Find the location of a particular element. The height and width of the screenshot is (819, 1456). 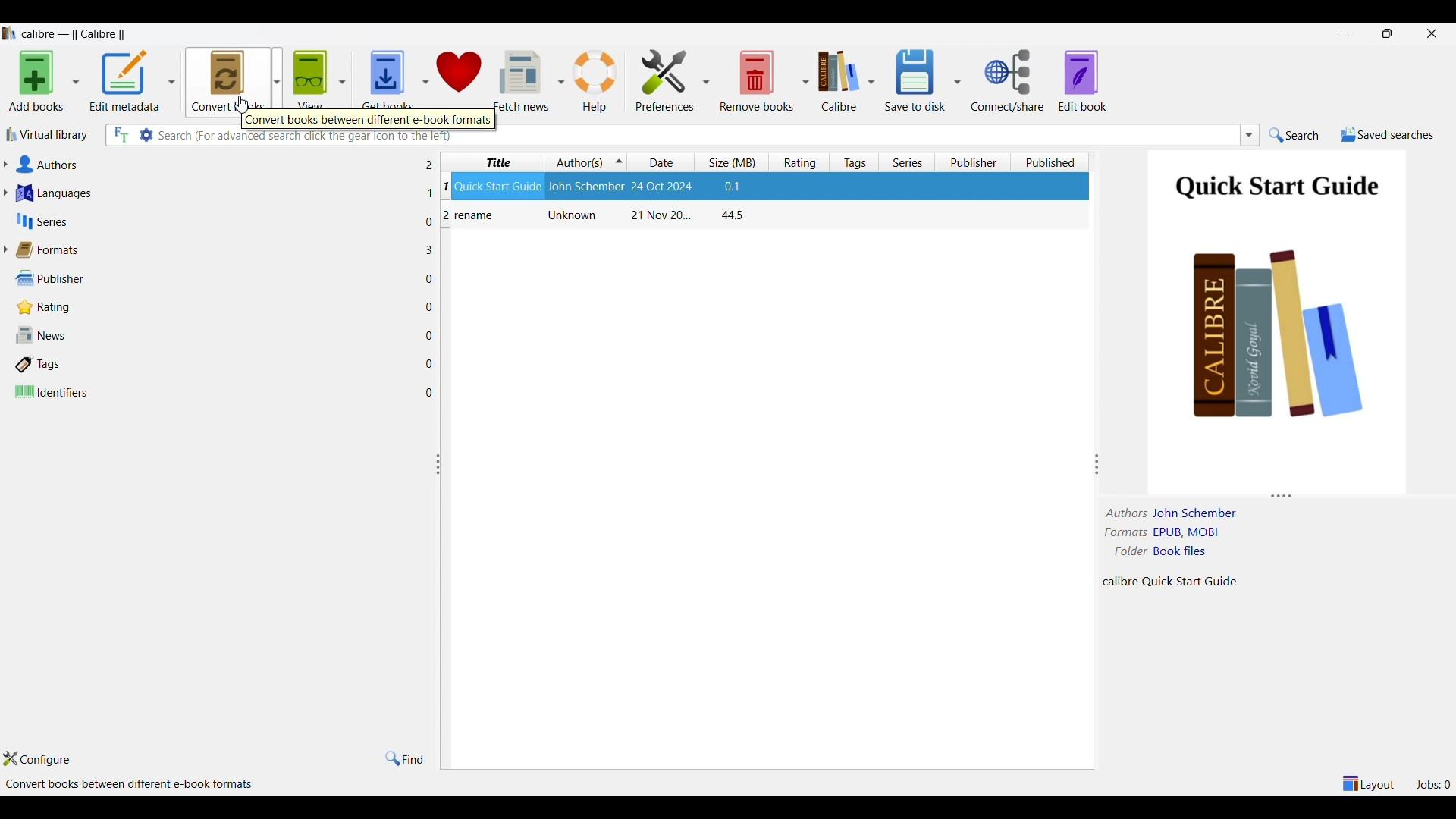

formats is located at coordinates (1126, 532).